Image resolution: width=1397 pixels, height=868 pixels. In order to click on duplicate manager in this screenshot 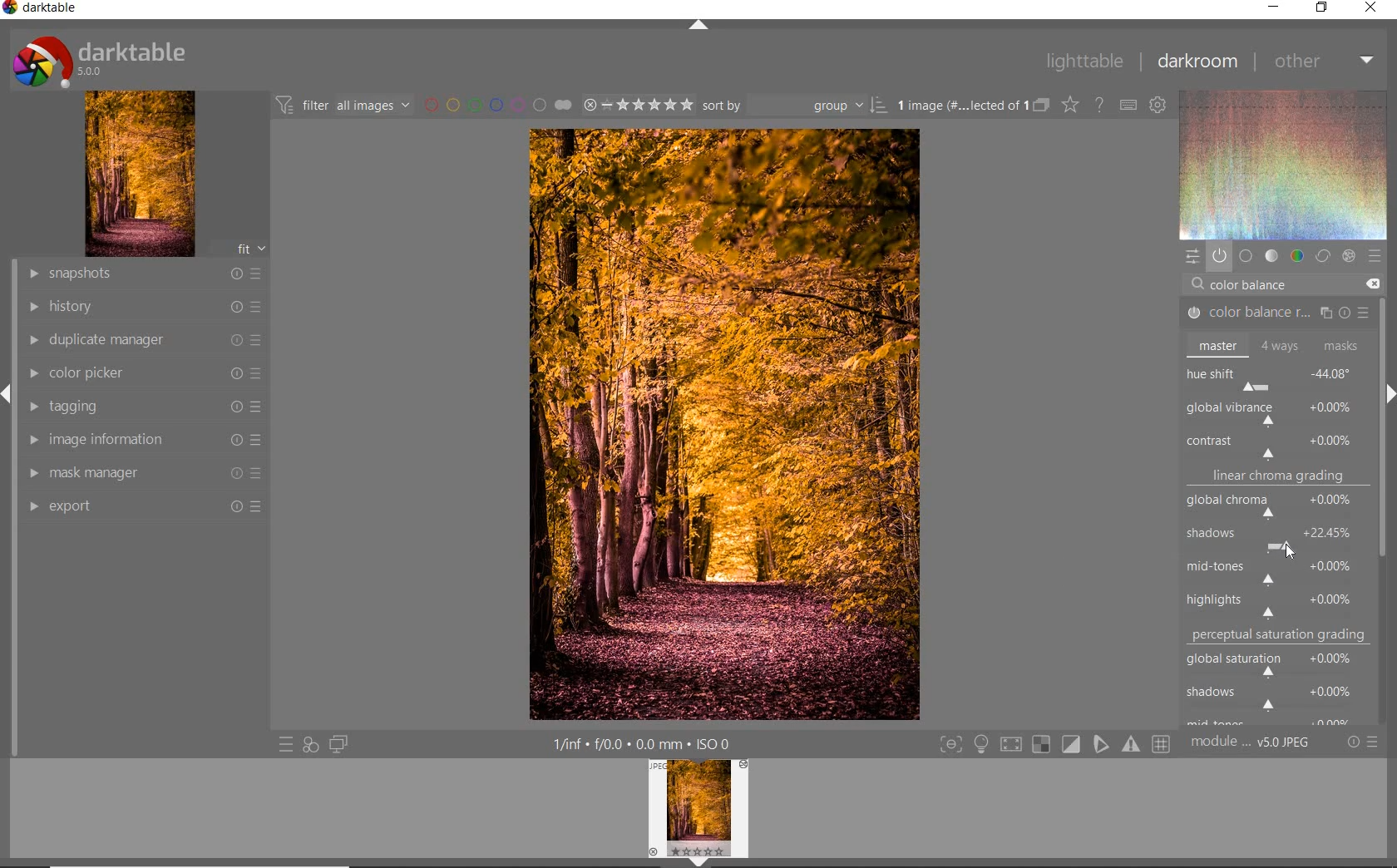, I will do `click(146, 340)`.